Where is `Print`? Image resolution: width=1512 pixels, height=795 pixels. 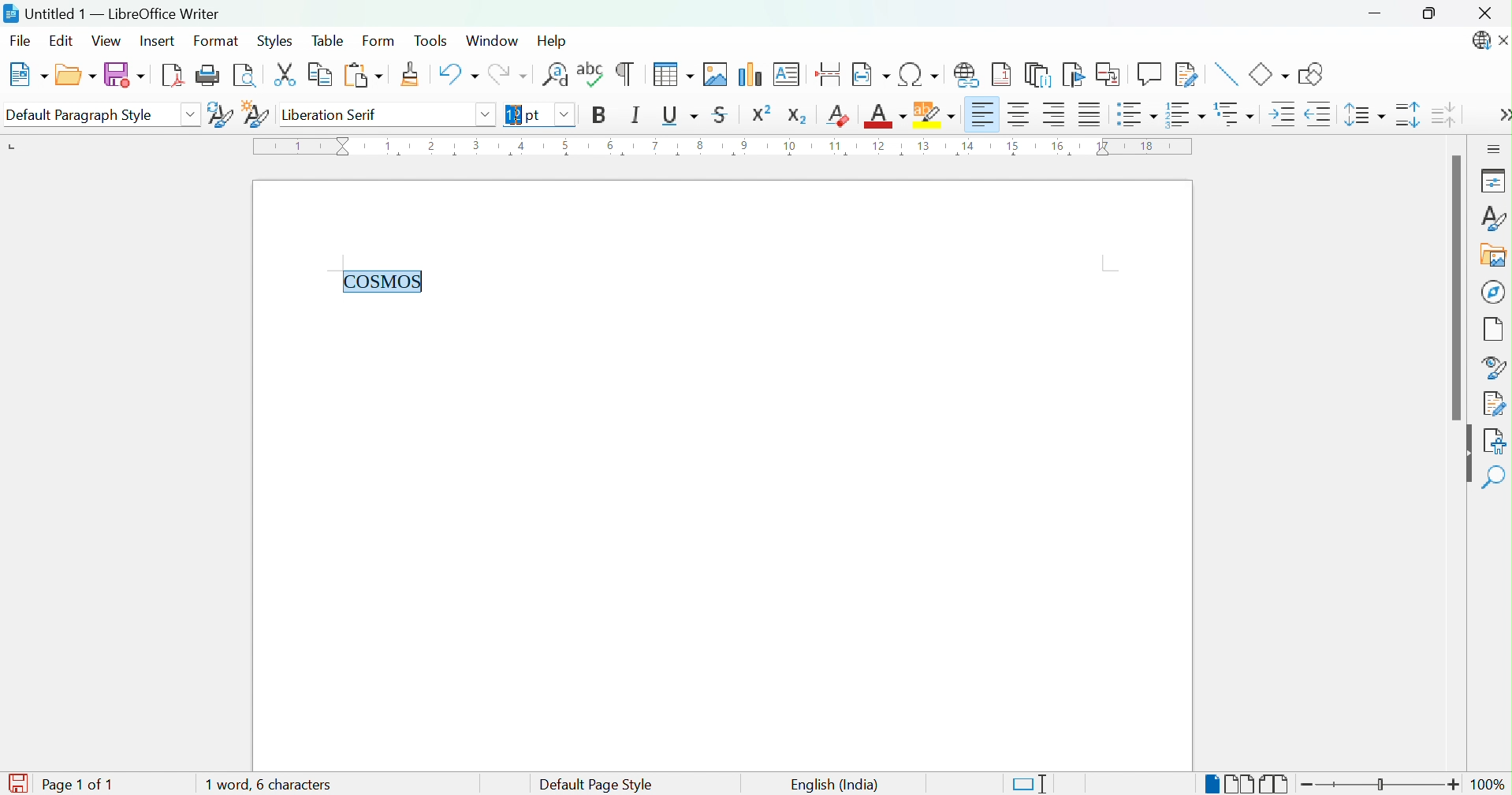
Print is located at coordinates (209, 75).